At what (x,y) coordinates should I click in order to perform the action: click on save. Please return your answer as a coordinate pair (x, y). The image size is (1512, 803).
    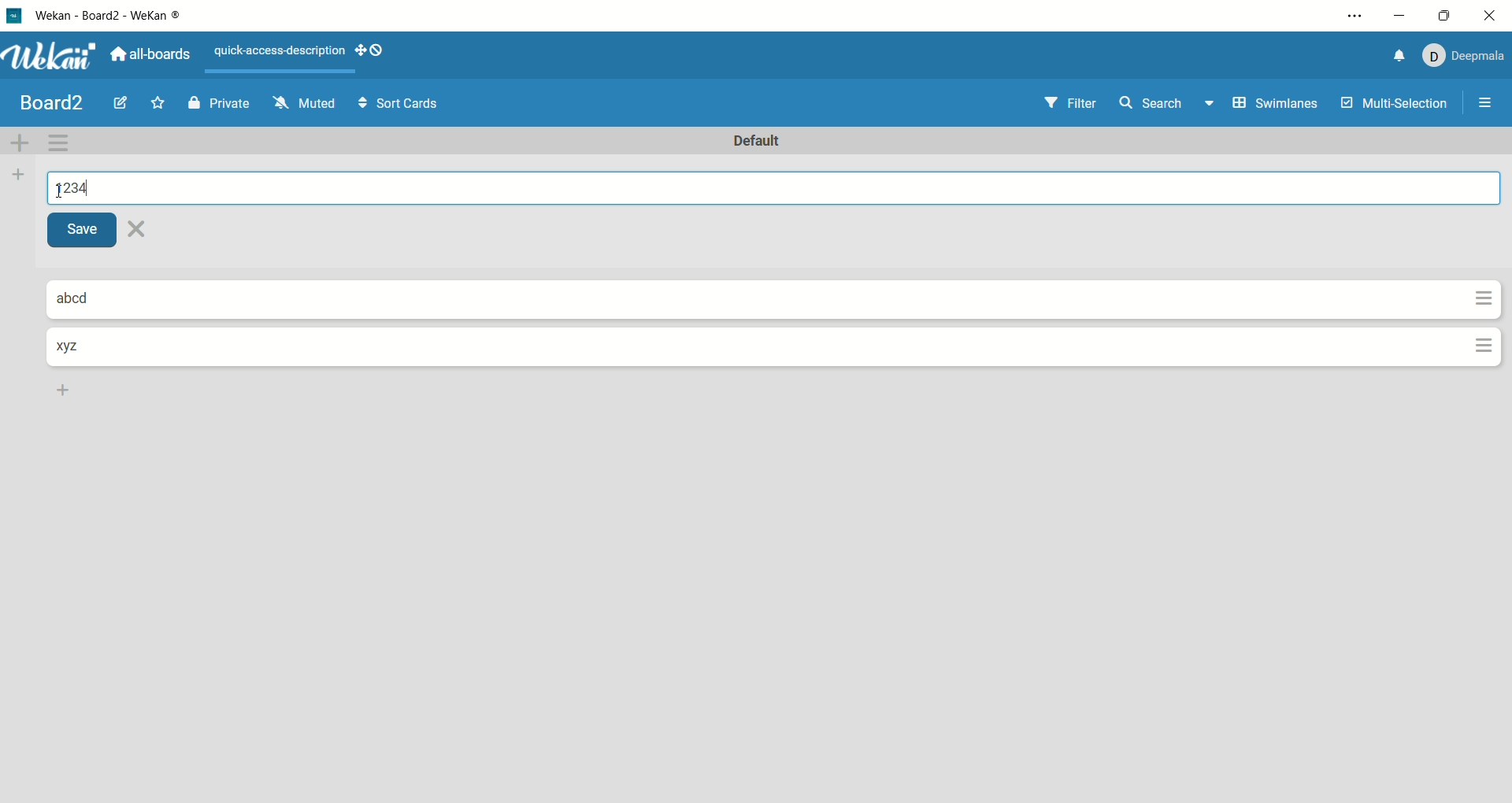
    Looking at the image, I should click on (87, 231).